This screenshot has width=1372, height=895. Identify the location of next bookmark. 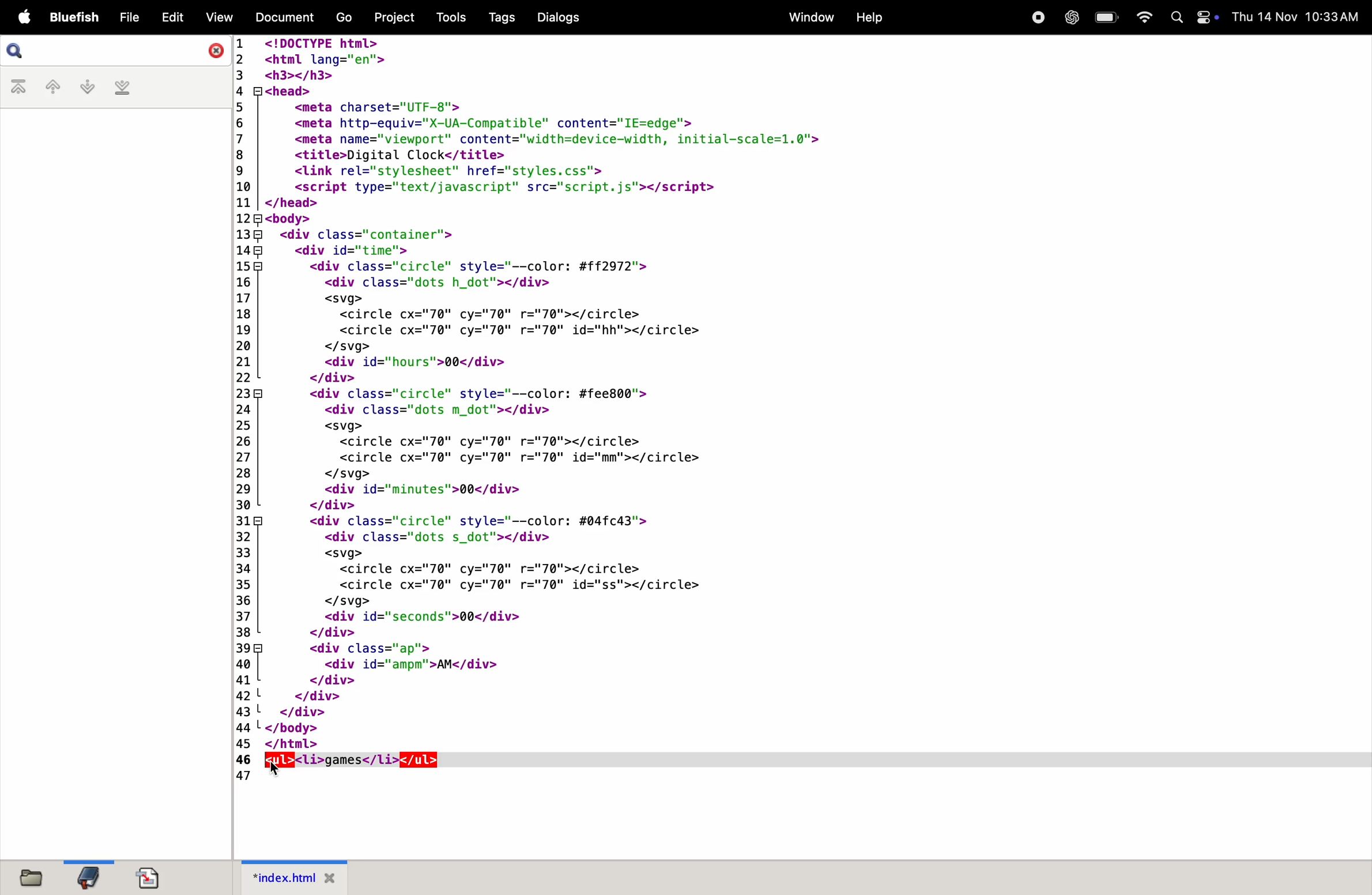
(86, 87).